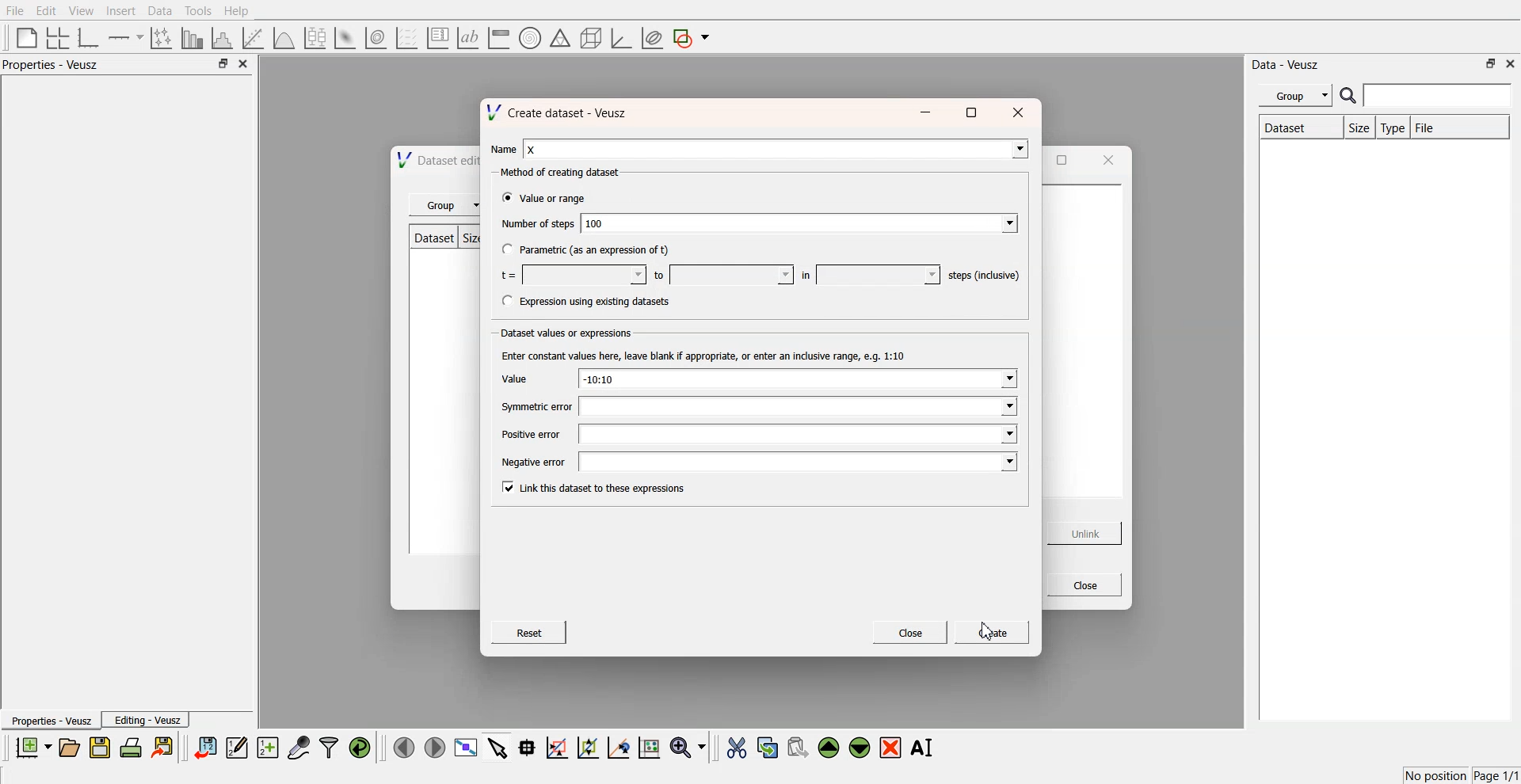 The height and width of the screenshot is (784, 1521). I want to click on Value, so click(522, 378).